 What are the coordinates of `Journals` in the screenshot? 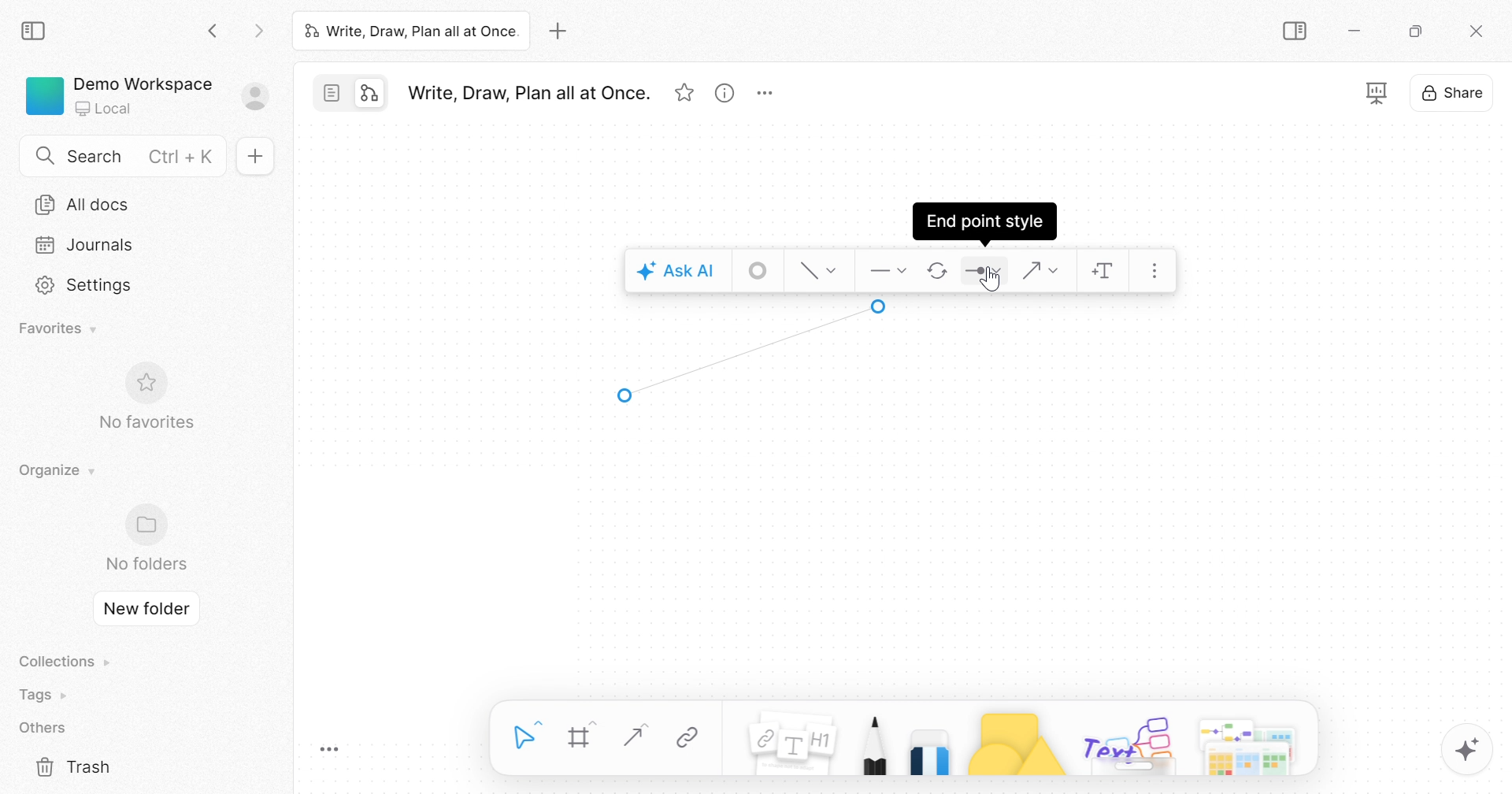 It's located at (80, 244).